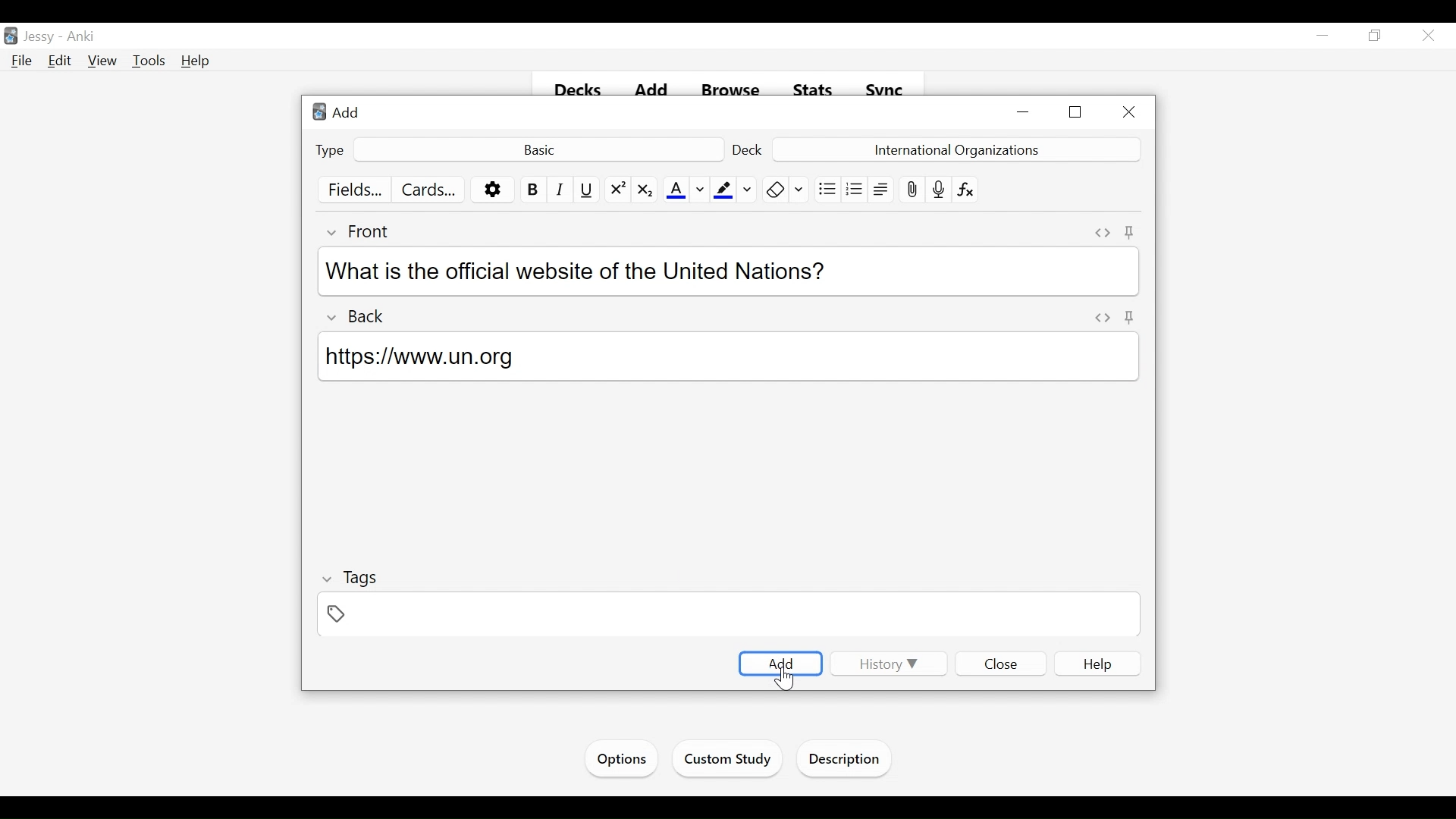  Describe the element at coordinates (1132, 232) in the screenshot. I see `Toggle sticky` at that location.